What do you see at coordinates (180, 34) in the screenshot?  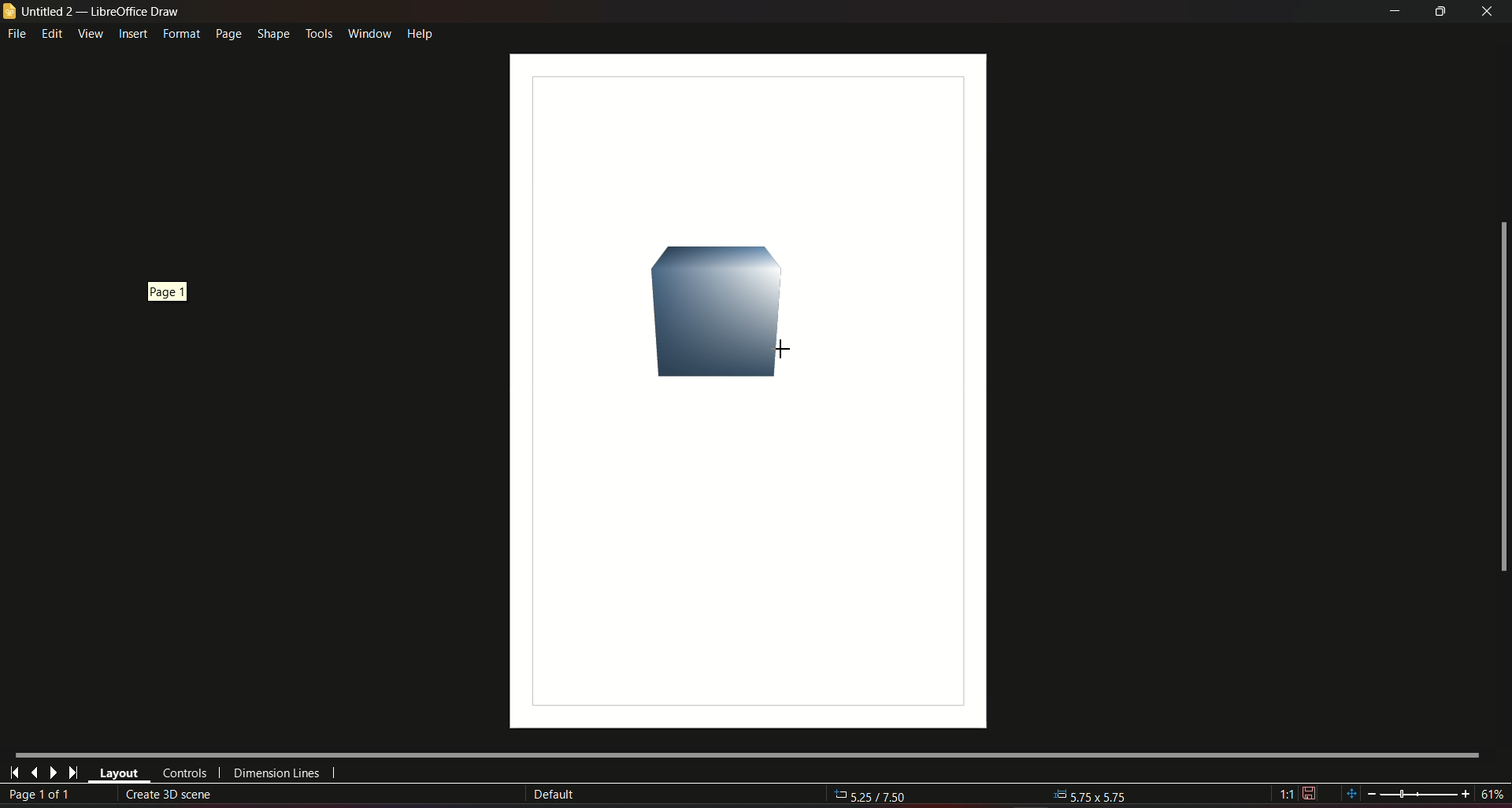 I see `format` at bounding box center [180, 34].